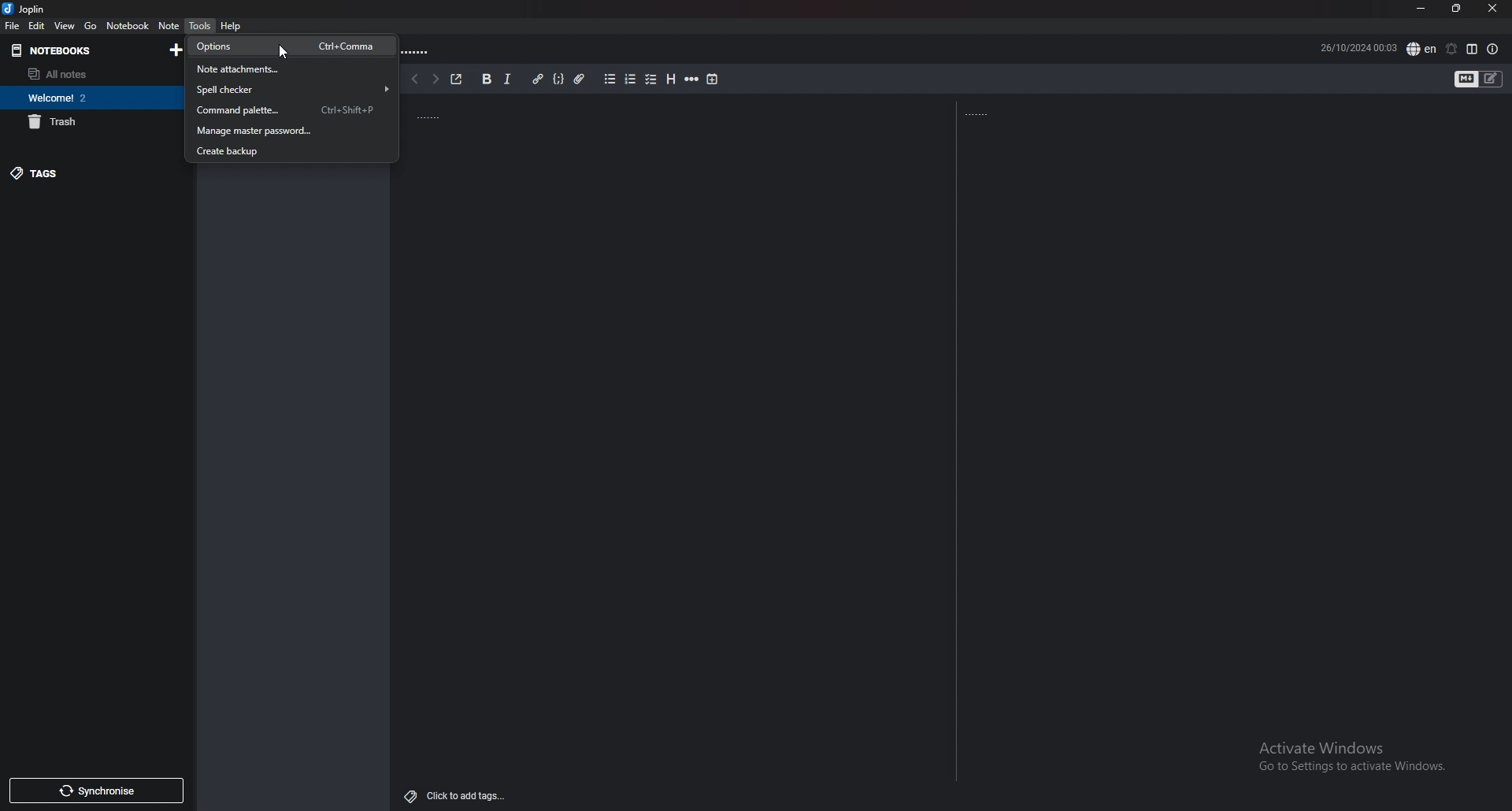  What do you see at coordinates (1347, 758) in the screenshot?
I see `` at bounding box center [1347, 758].